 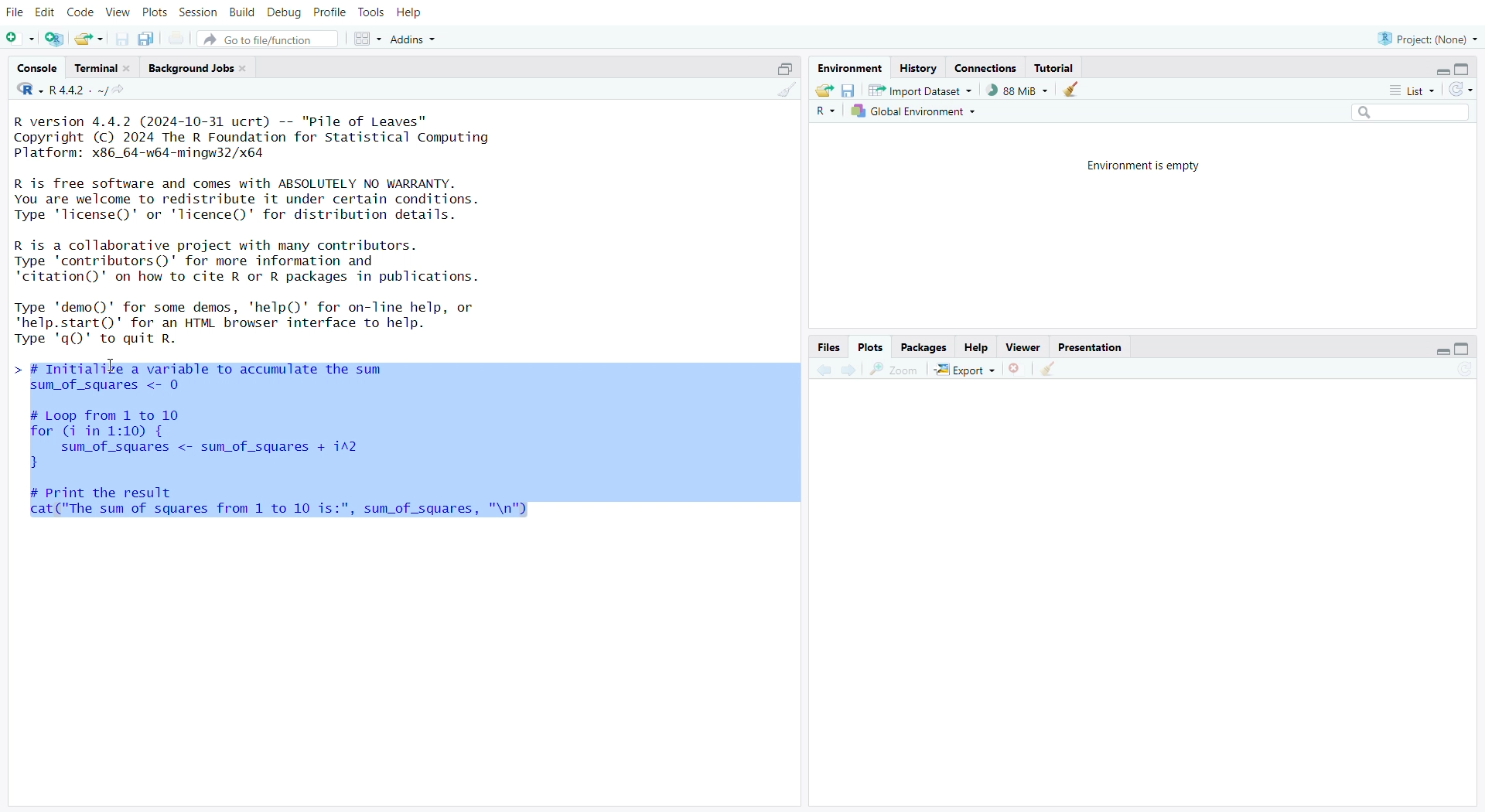 What do you see at coordinates (196, 367) in the screenshot?
I see `# Initialize a variable to accumulate the sum` at bounding box center [196, 367].